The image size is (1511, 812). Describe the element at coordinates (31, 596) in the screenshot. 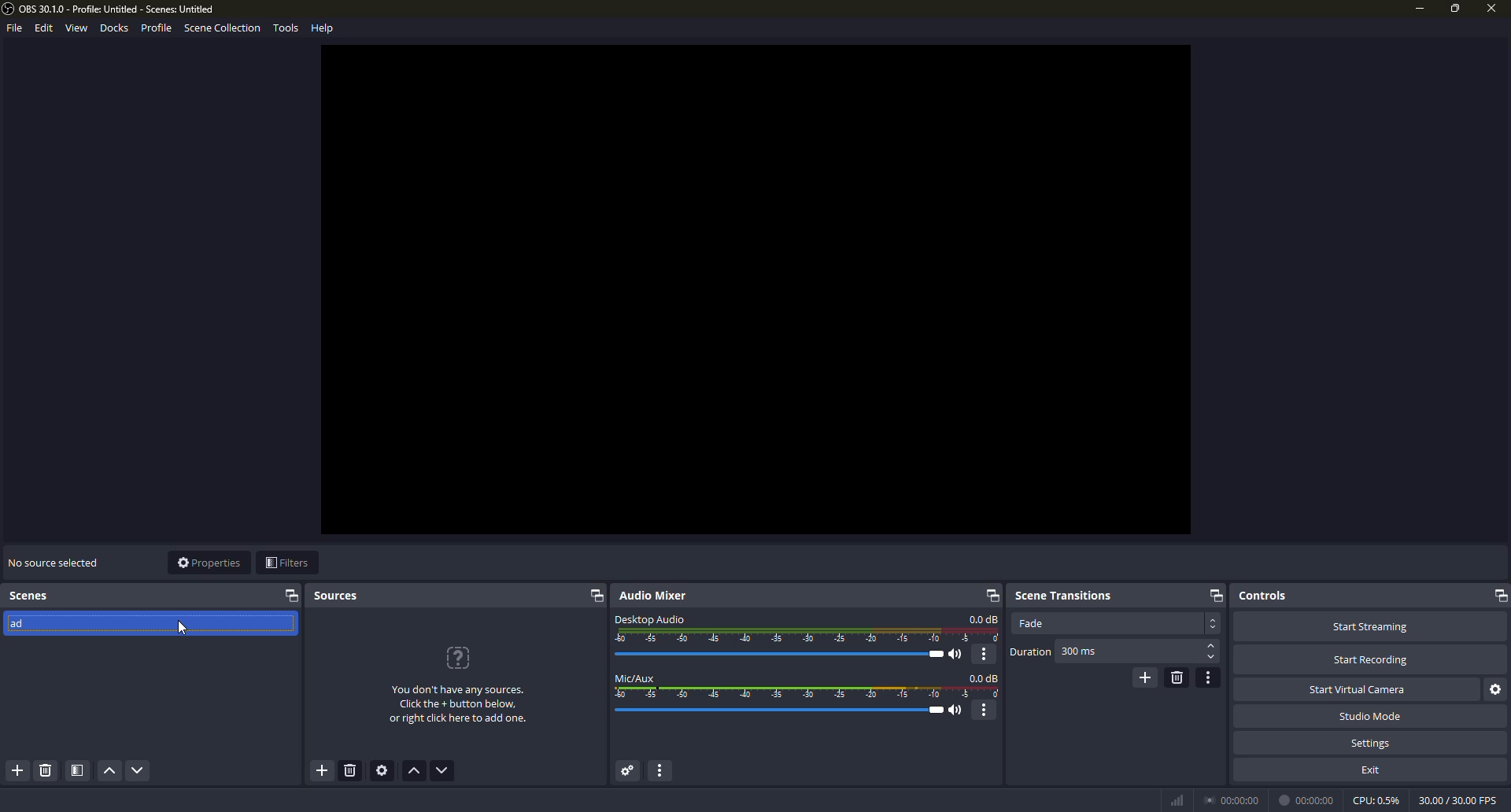

I see `scenes` at that location.